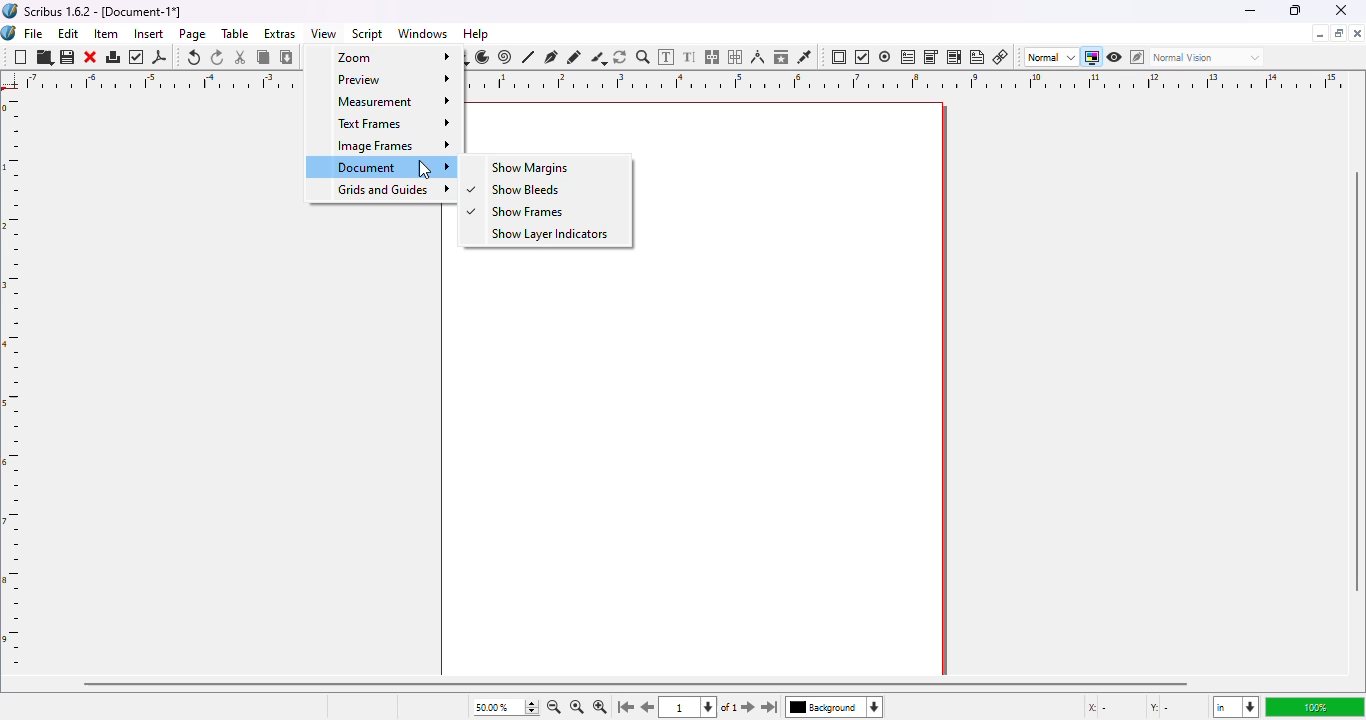 The image size is (1366, 720). I want to click on bezier curve, so click(552, 56).